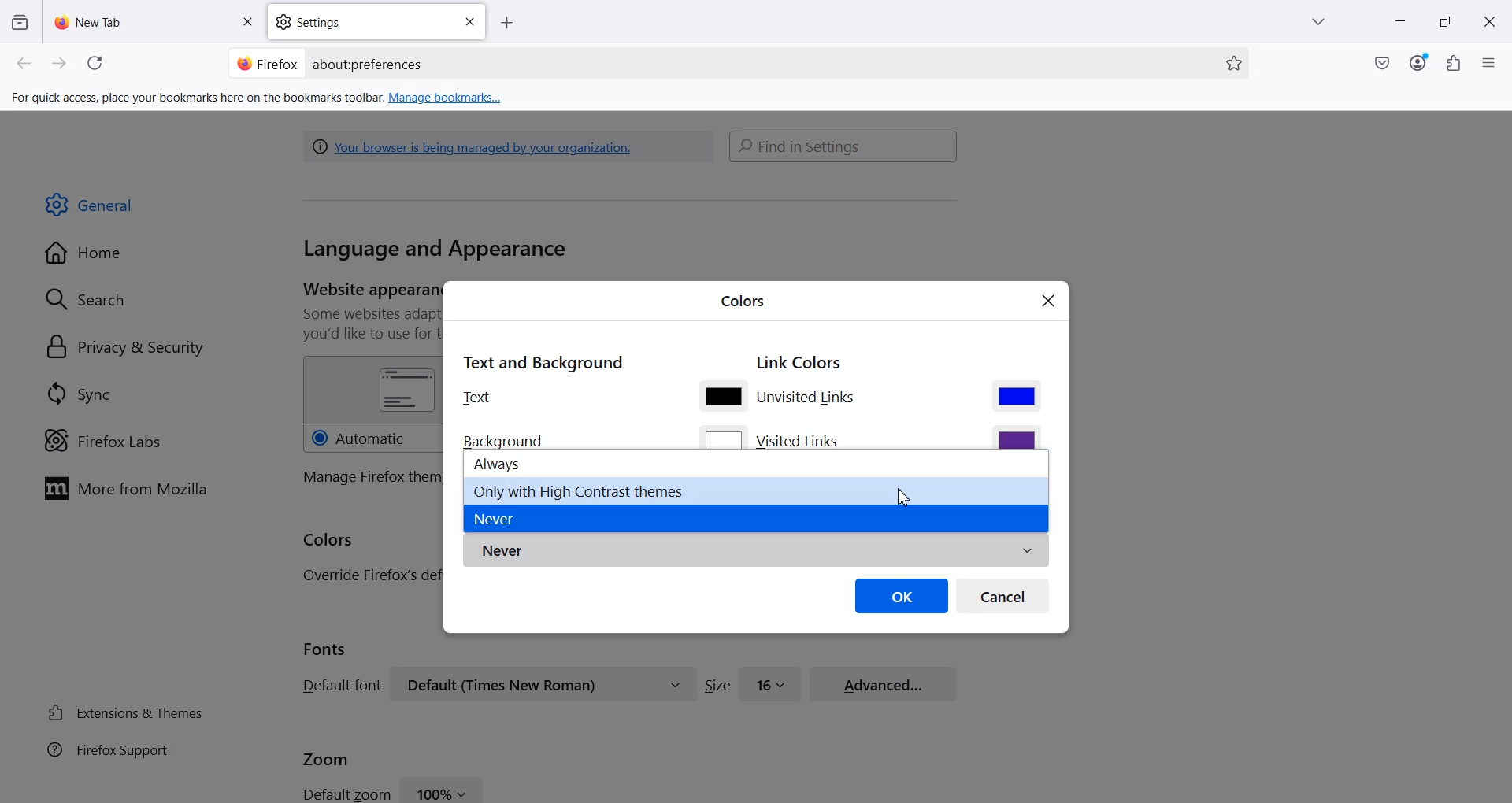 The image size is (1512, 803). I want to click on [W] Sync, so click(76, 393).